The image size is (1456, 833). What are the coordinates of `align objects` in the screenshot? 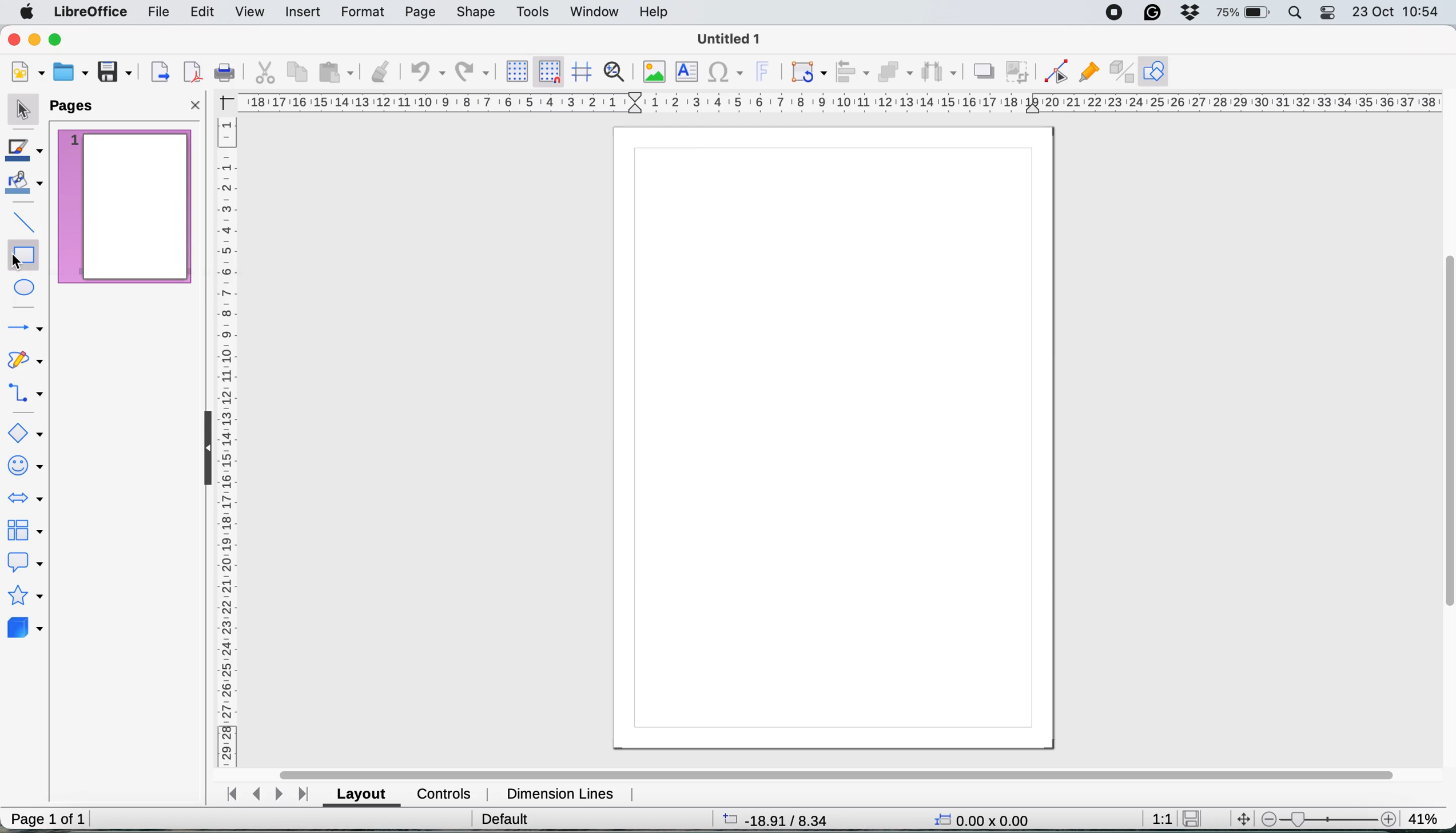 It's located at (852, 72).